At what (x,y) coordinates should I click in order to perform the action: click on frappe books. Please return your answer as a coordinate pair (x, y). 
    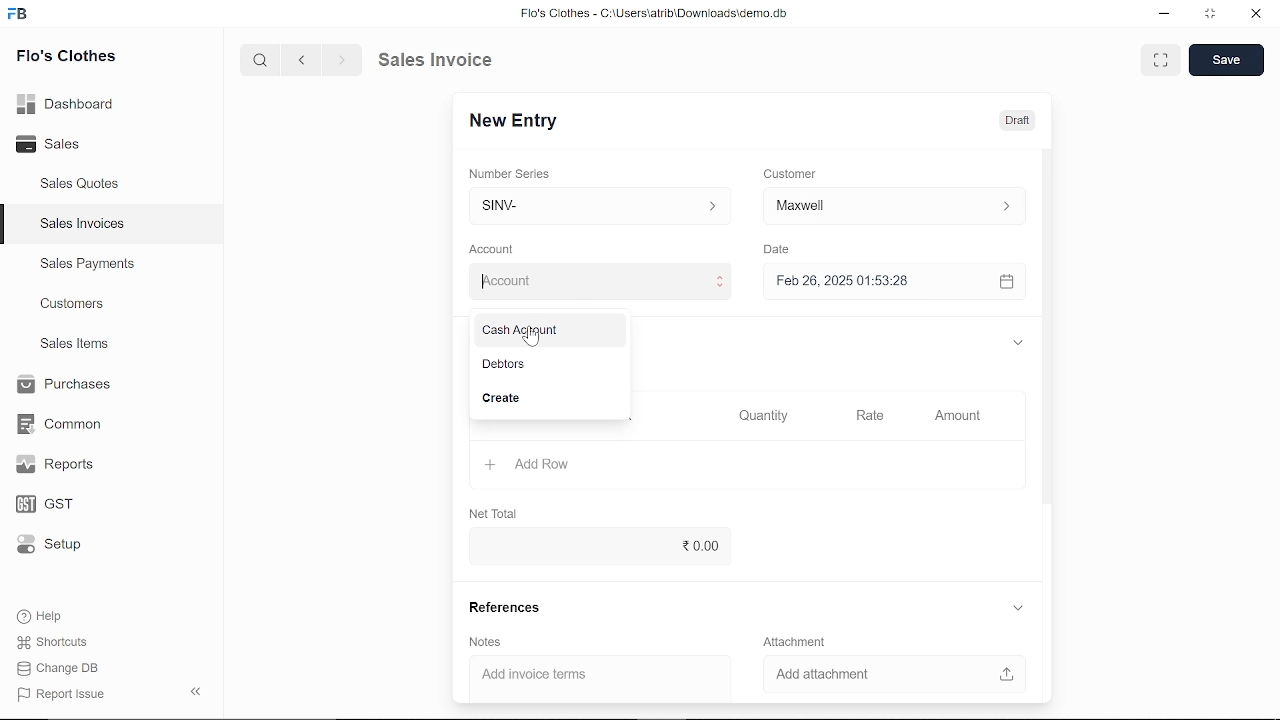
    Looking at the image, I should click on (18, 16).